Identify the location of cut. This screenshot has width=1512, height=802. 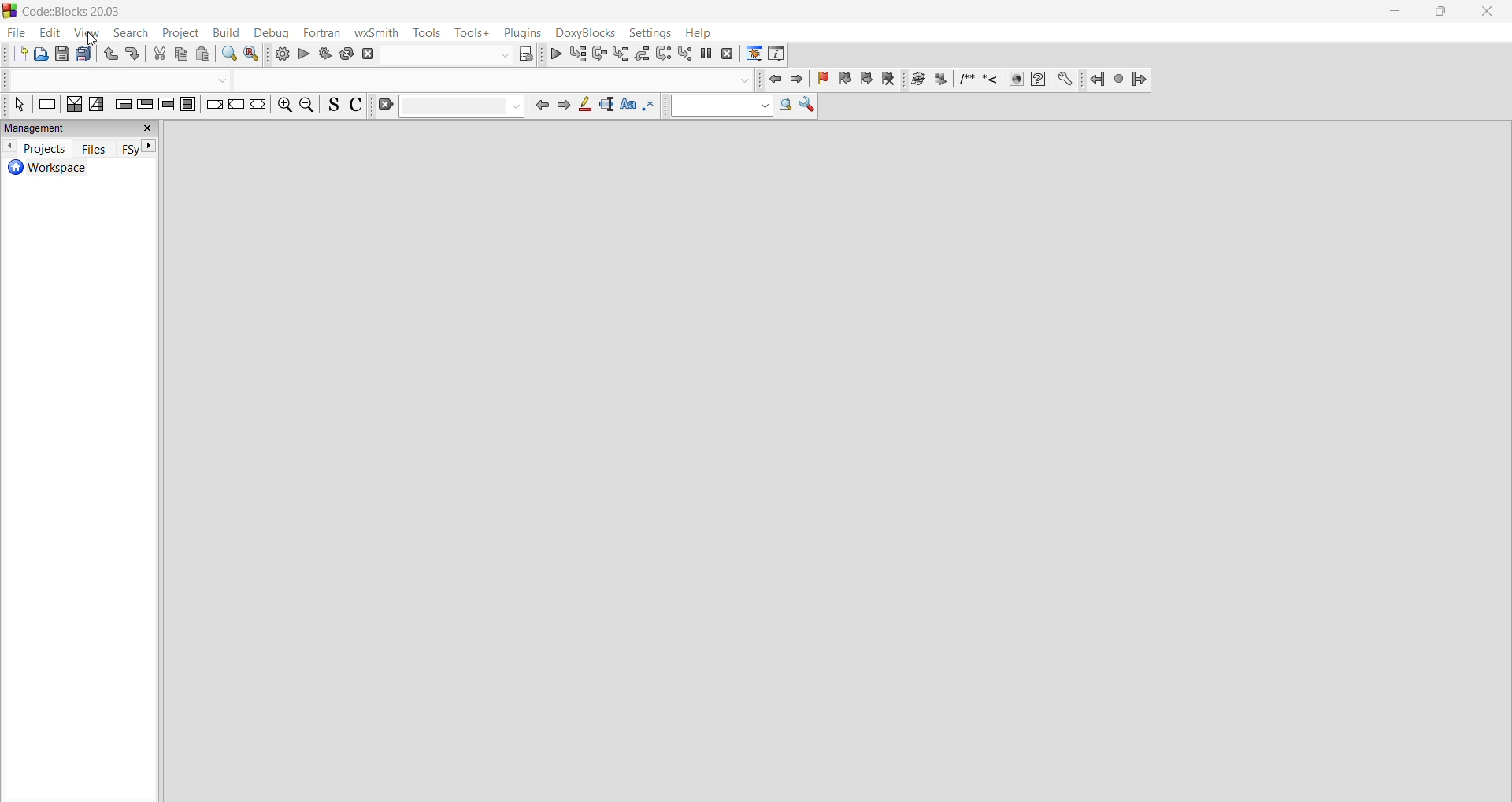
(157, 55).